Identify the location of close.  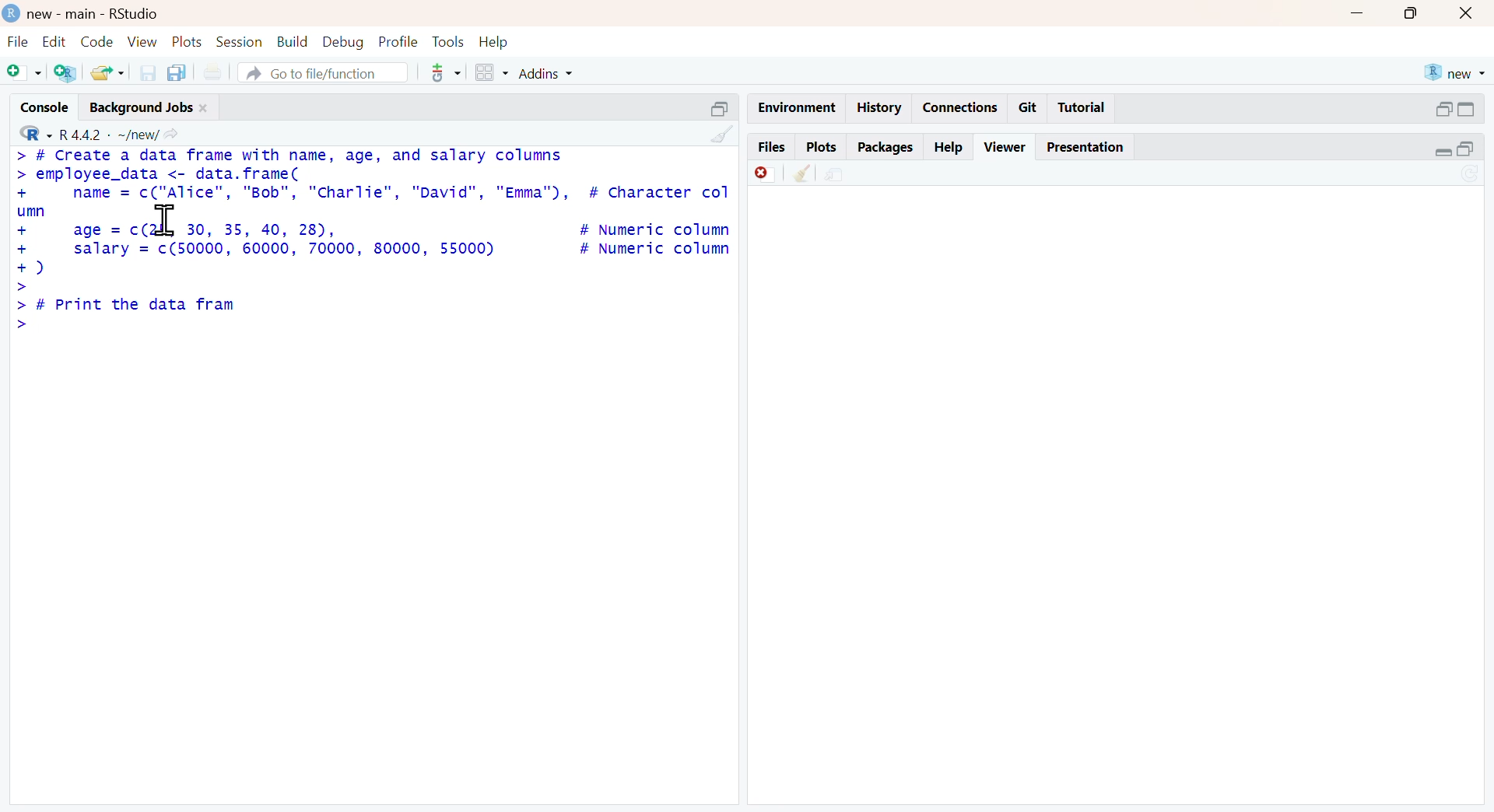
(1471, 13).